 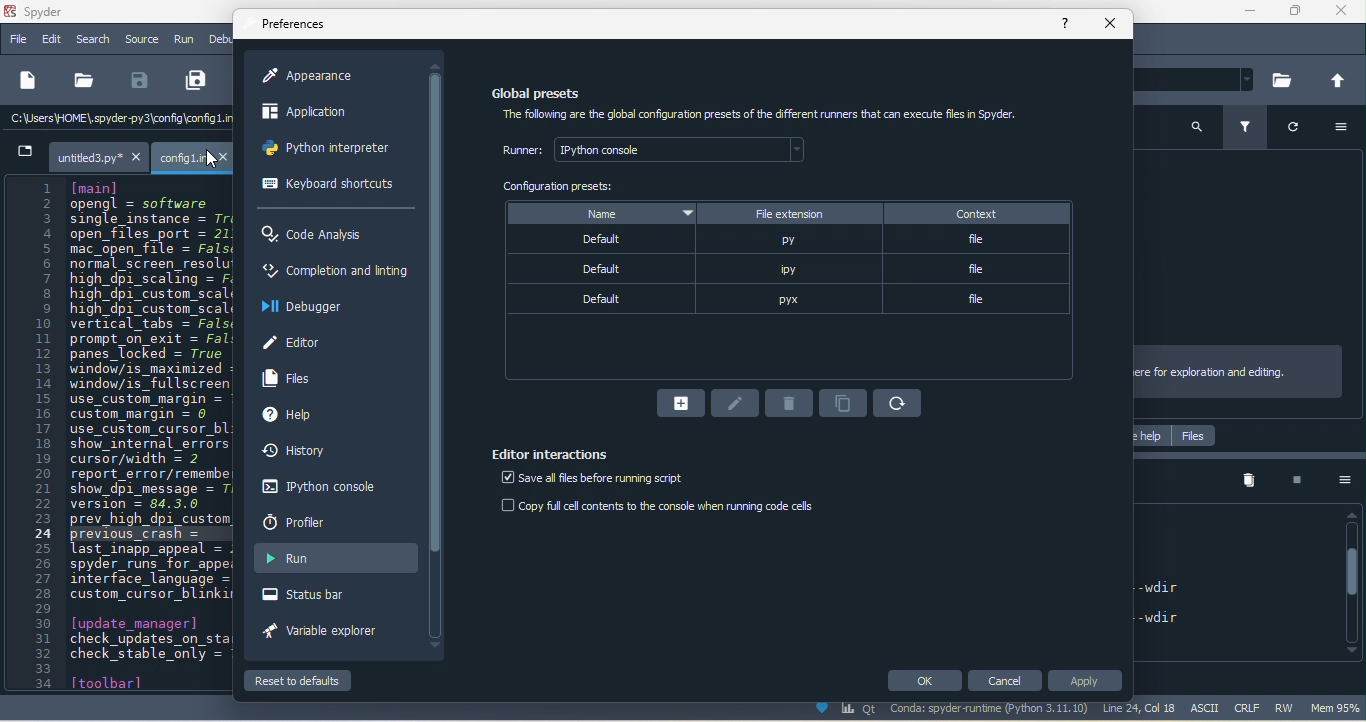 What do you see at coordinates (601, 212) in the screenshot?
I see `name` at bounding box center [601, 212].